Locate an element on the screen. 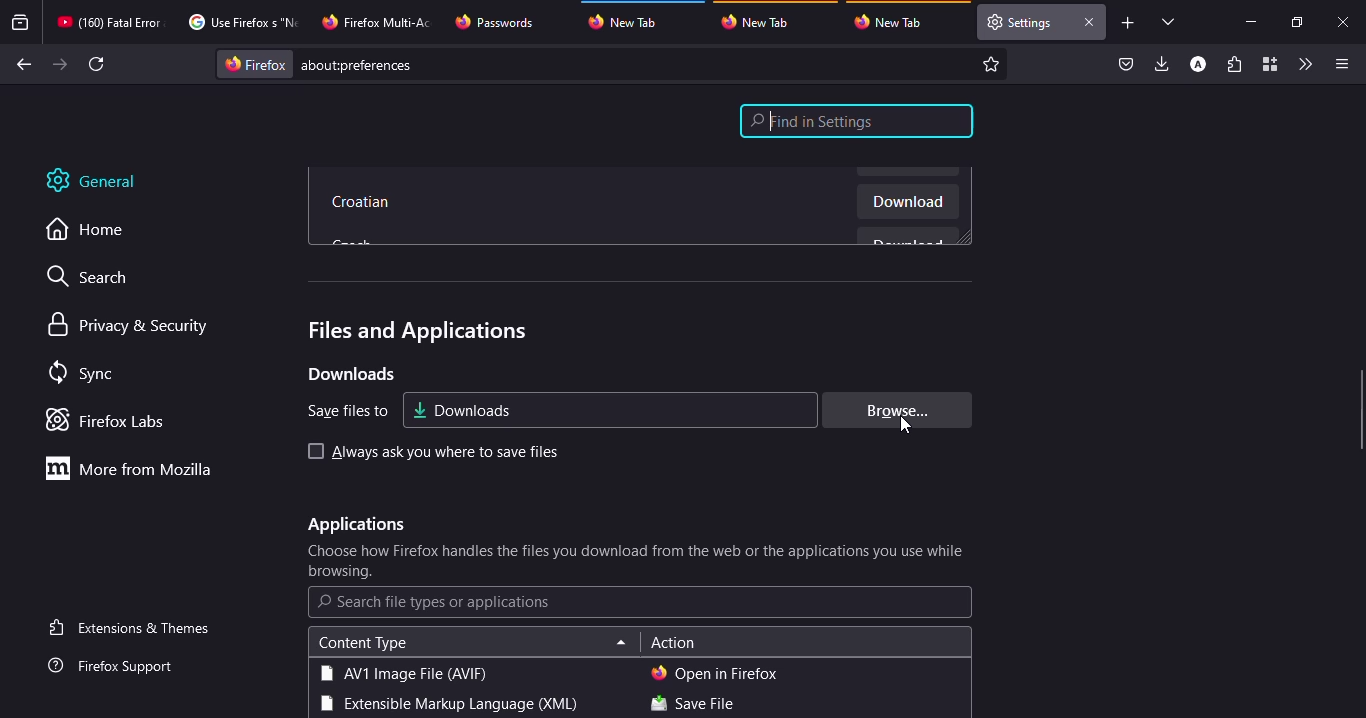 The width and height of the screenshot is (1366, 718). more is located at coordinates (135, 468).